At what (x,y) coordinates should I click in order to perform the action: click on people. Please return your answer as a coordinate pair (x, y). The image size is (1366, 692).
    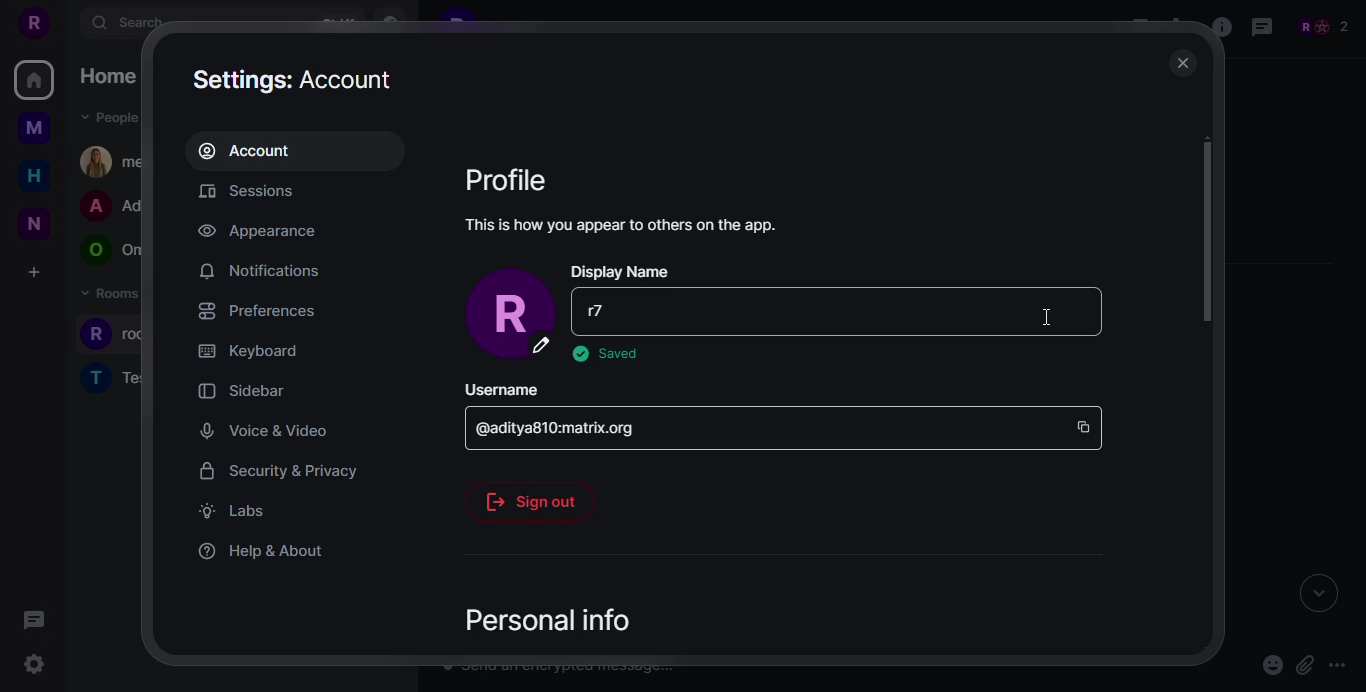
    Looking at the image, I should click on (113, 159).